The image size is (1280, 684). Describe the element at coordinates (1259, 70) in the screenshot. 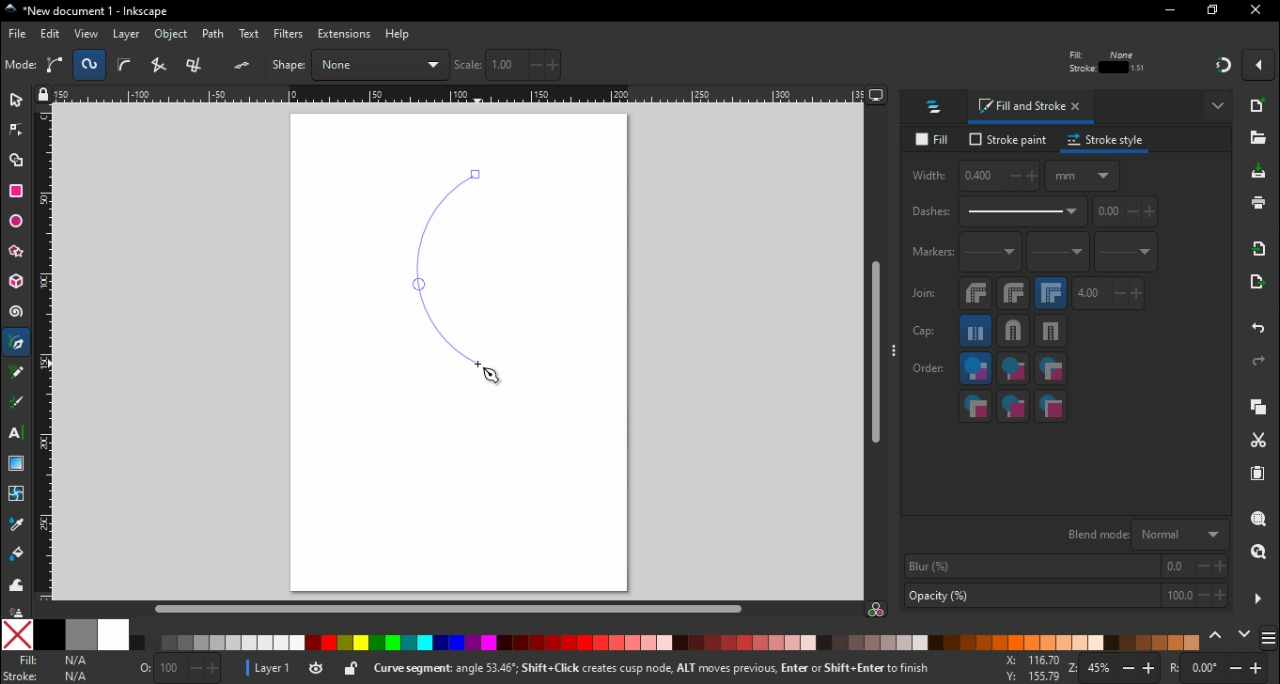

I see `snapping options` at that location.